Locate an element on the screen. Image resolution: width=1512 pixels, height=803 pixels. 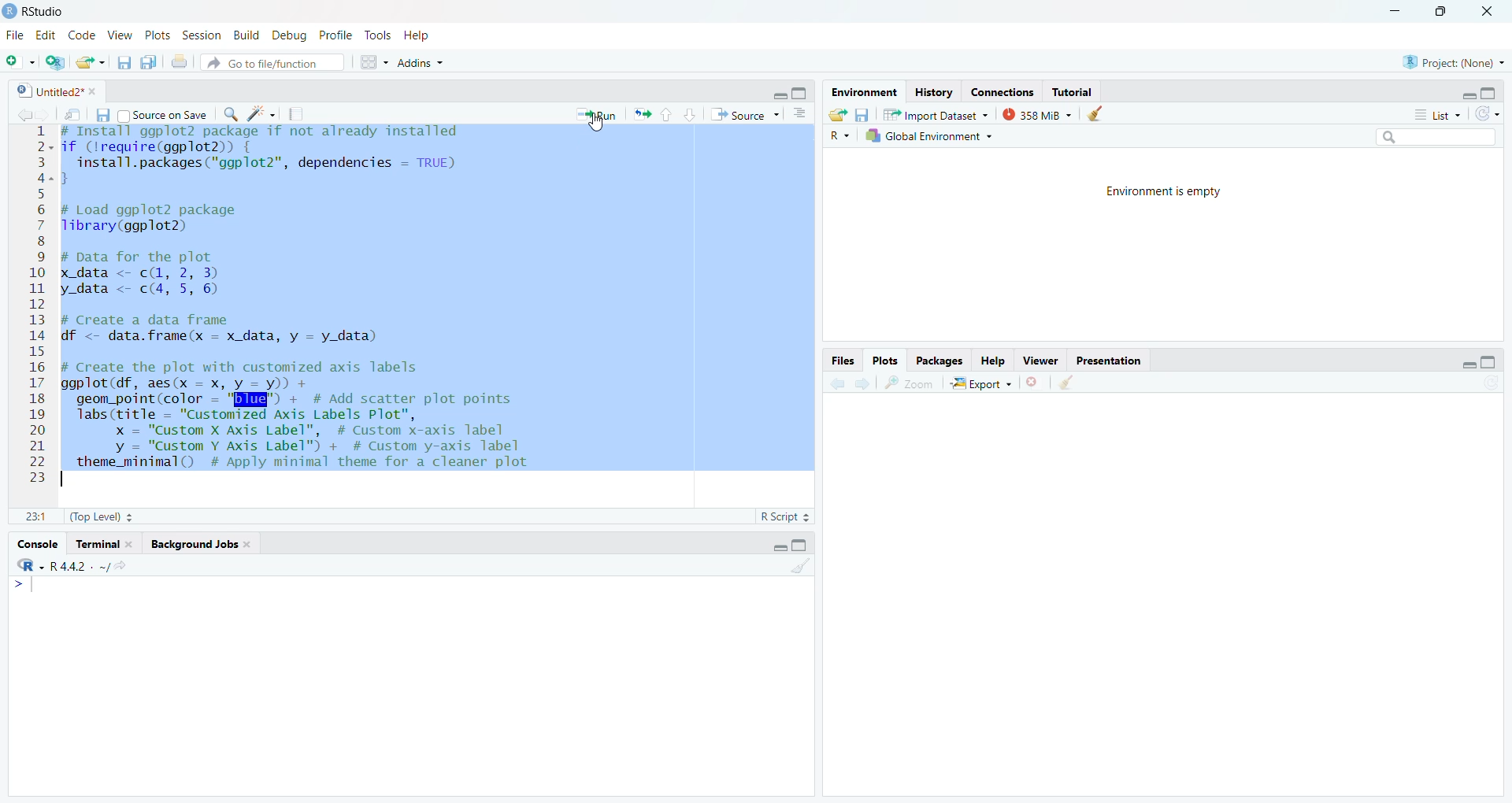
File is located at coordinates (17, 36).